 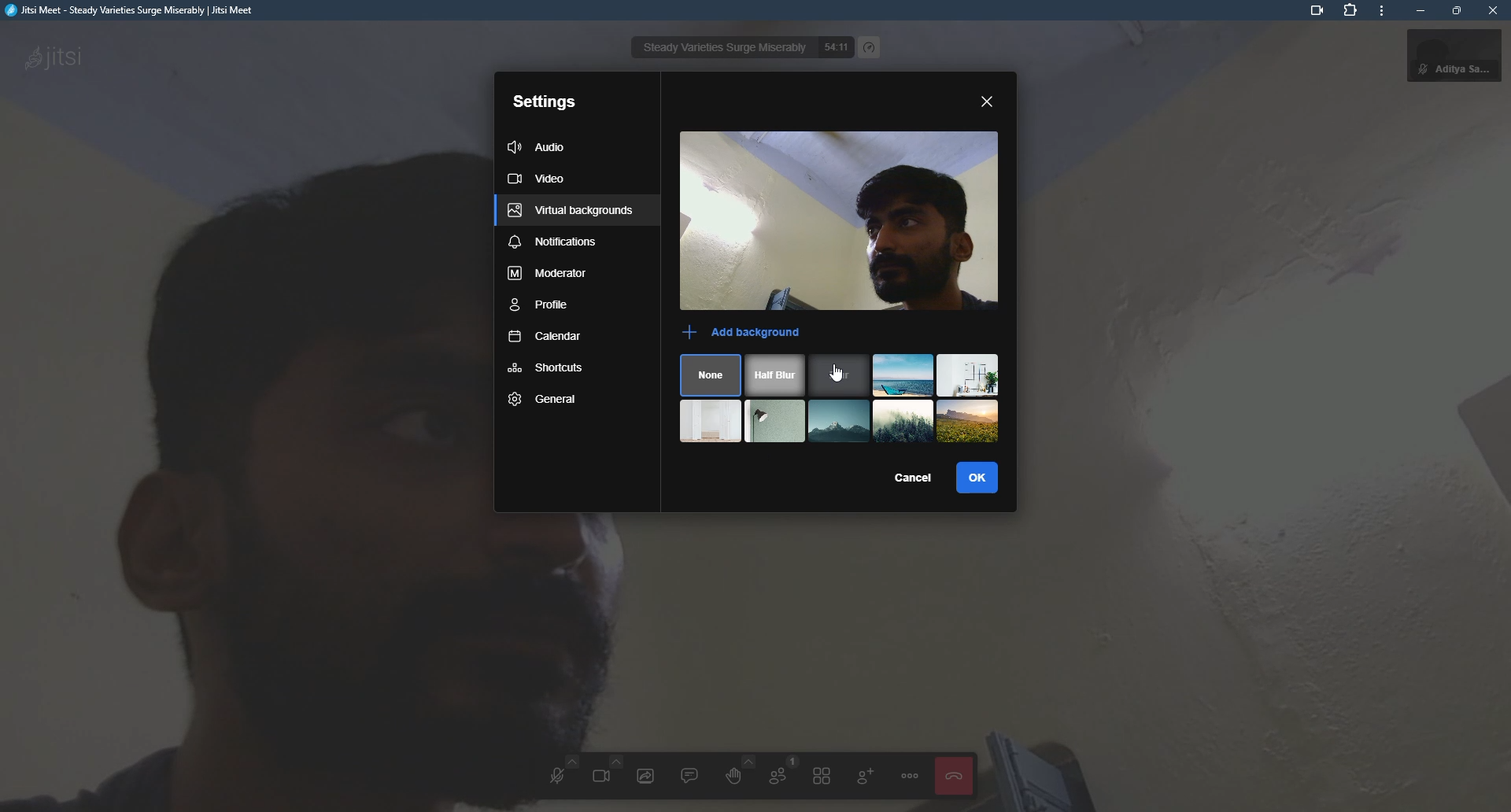 I want to click on jitsi, so click(x=132, y=14).